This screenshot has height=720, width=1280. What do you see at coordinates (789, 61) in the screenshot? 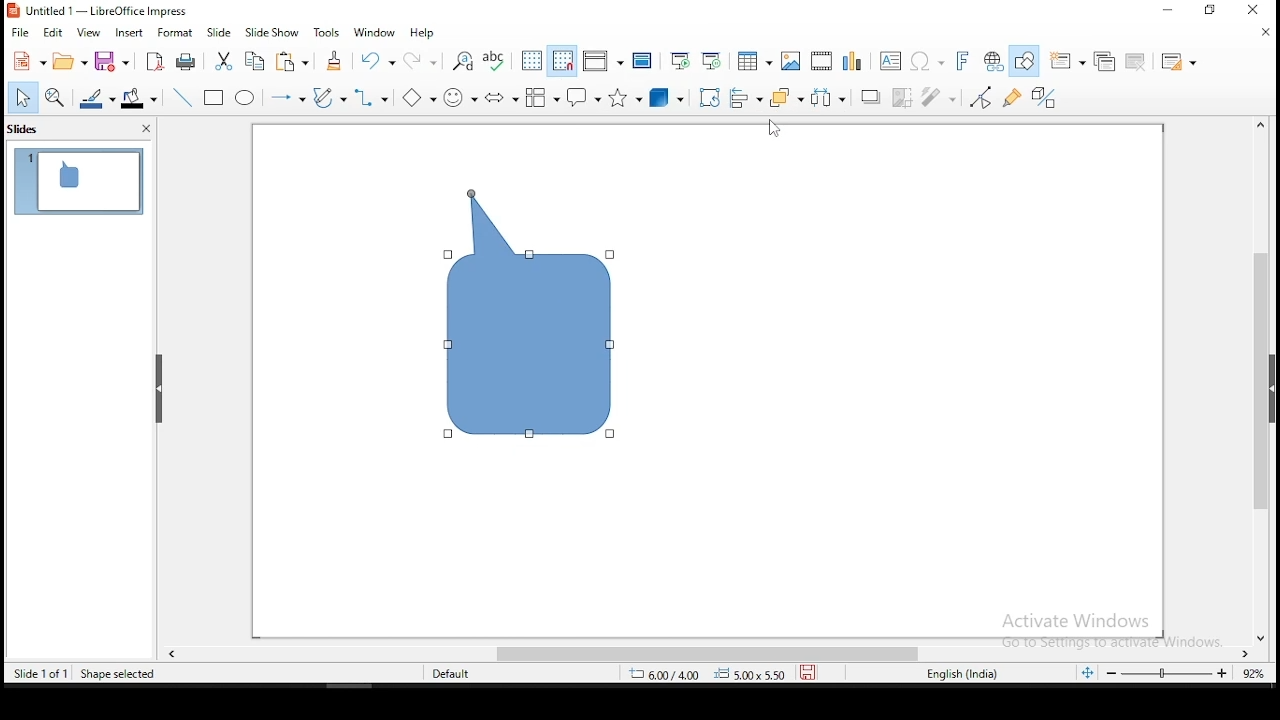
I see `image` at bounding box center [789, 61].